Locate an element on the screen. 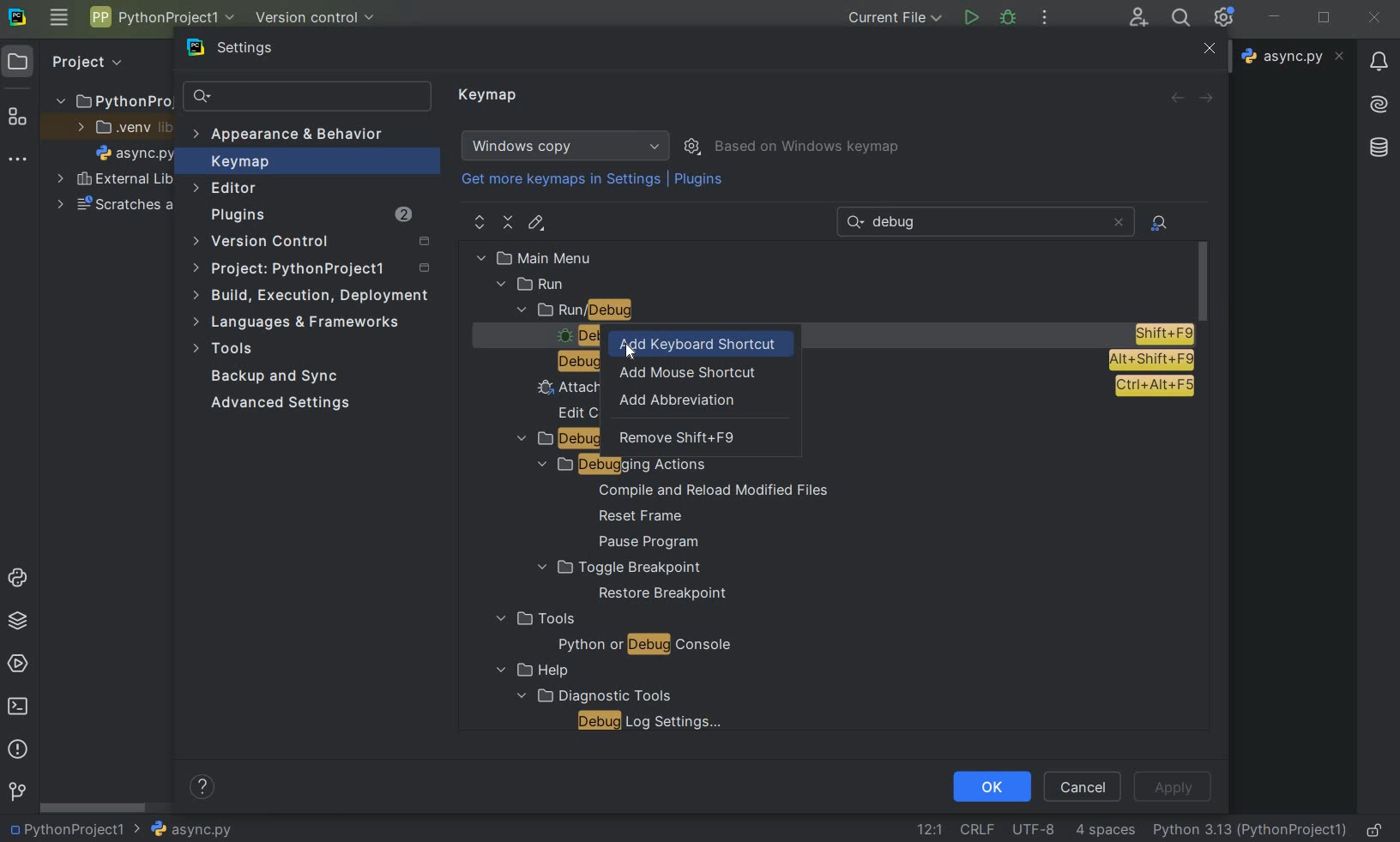 This screenshot has width=1400, height=842. run is located at coordinates (970, 18).